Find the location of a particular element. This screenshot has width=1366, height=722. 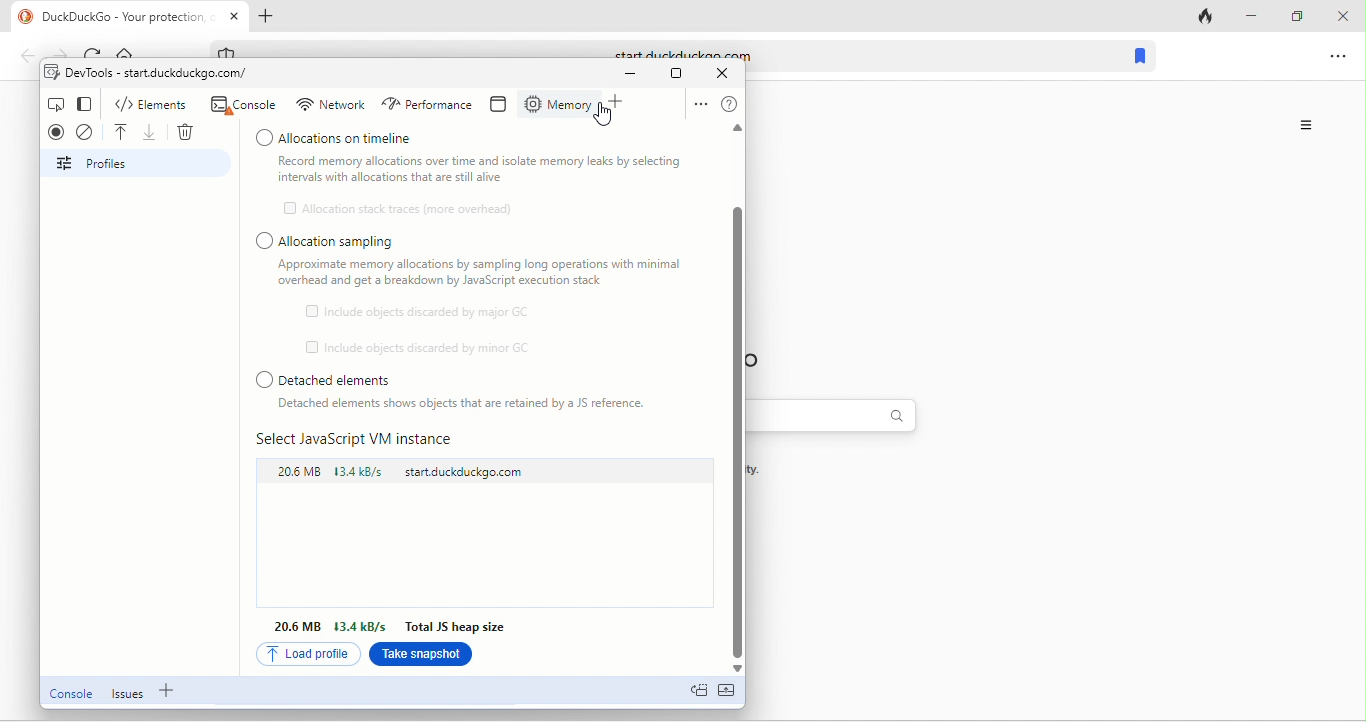

include objects discarded by minor gc is located at coordinates (419, 348).